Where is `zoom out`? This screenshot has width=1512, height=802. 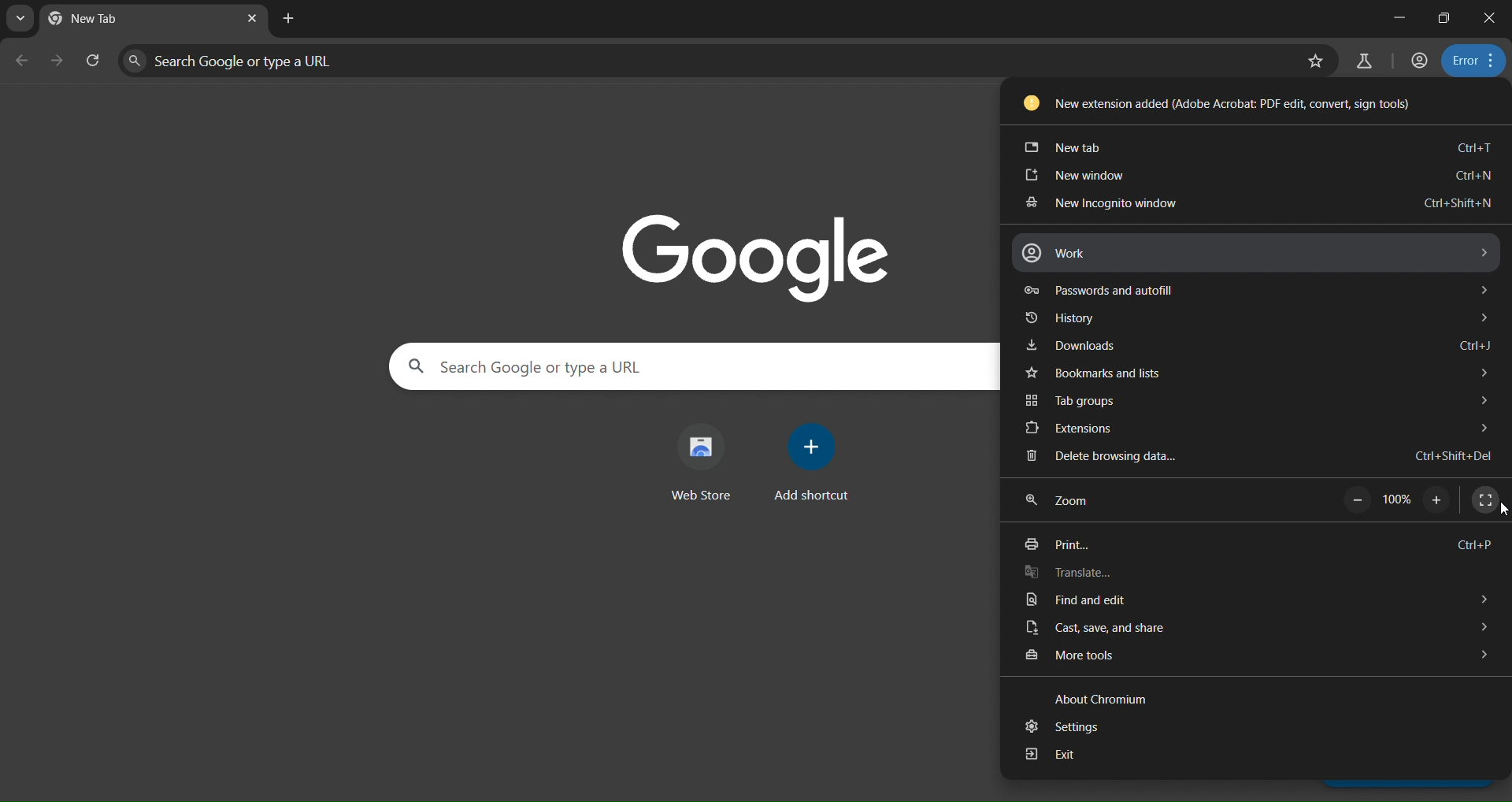 zoom out is located at coordinates (1357, 500).